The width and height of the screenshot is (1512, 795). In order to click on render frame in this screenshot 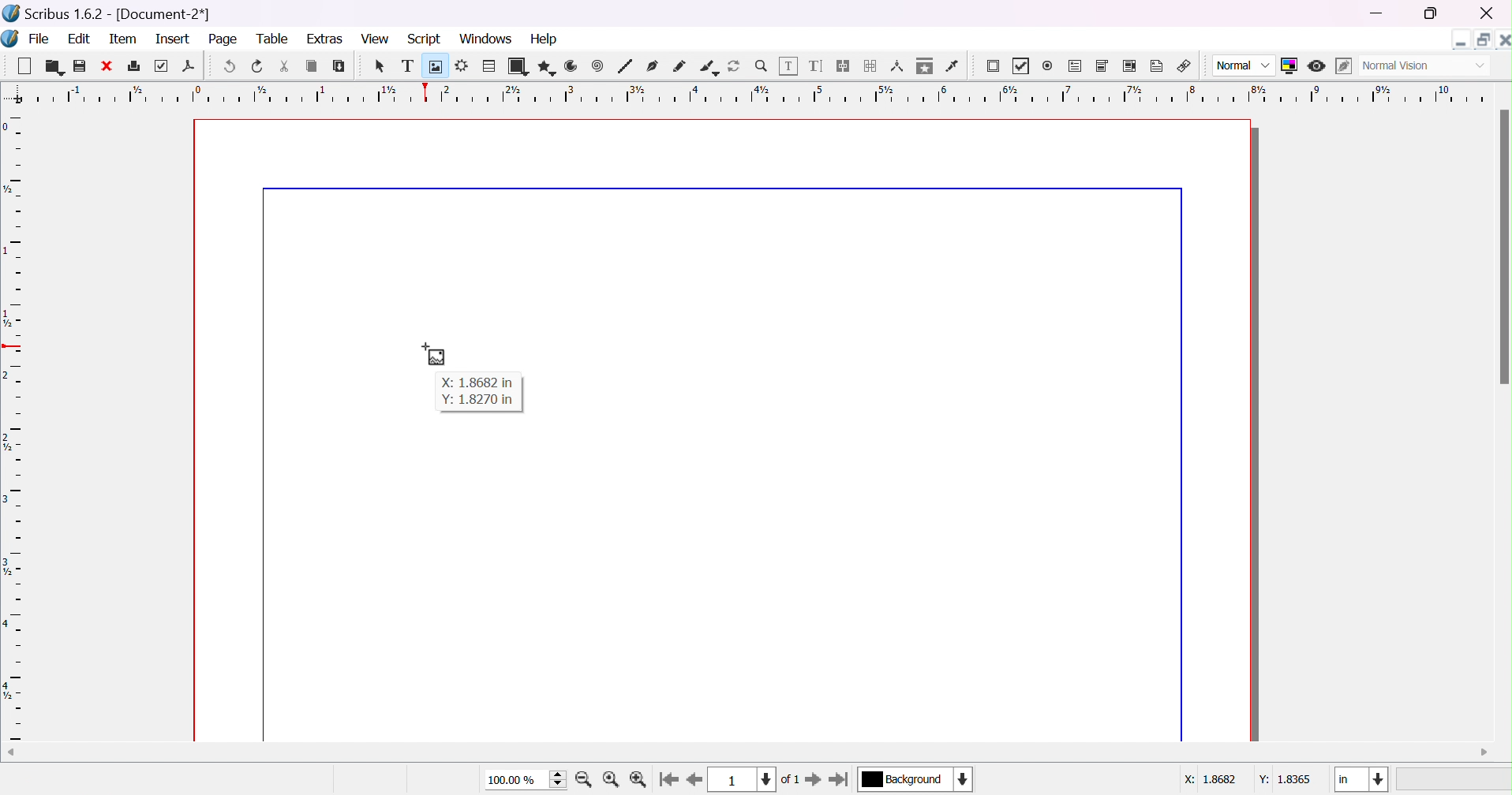, I will do `click(462, 65)`.